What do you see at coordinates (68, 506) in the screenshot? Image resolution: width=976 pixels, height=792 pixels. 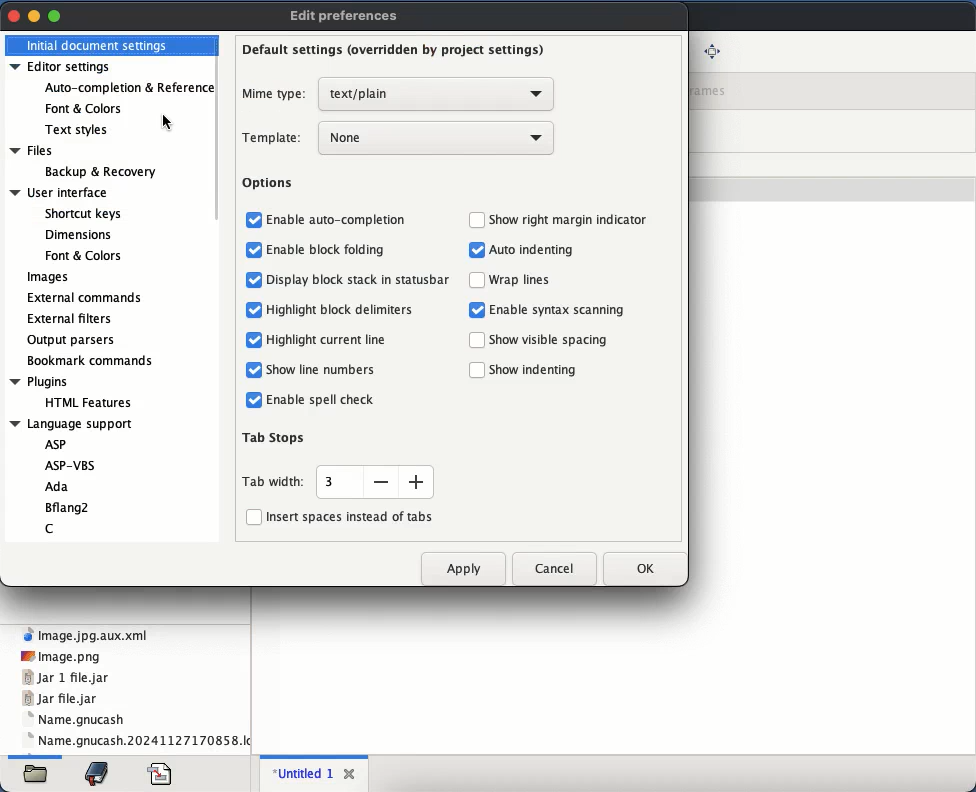 I see `Bflang2` at bounding box center [68, 506].